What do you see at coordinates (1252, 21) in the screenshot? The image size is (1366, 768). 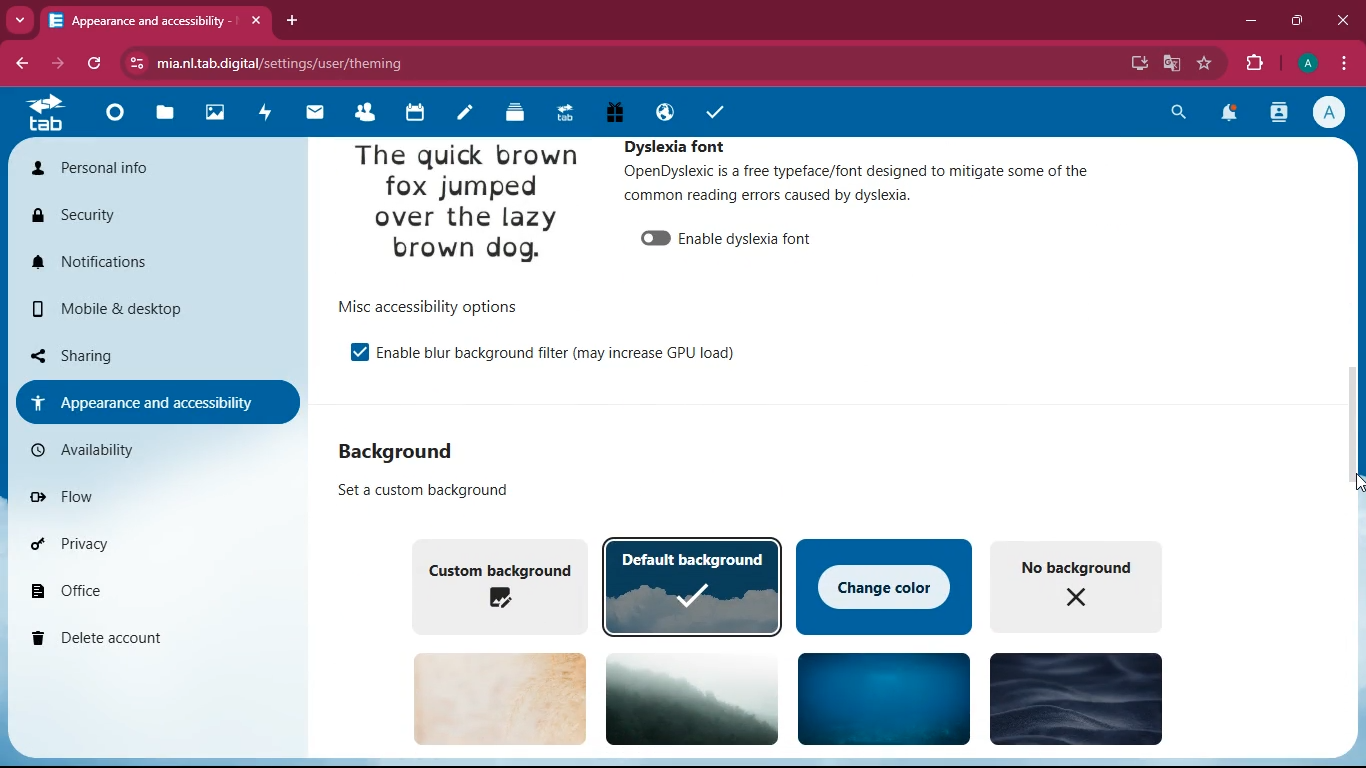 I see `minimize` at bounding box center [1252, 21].